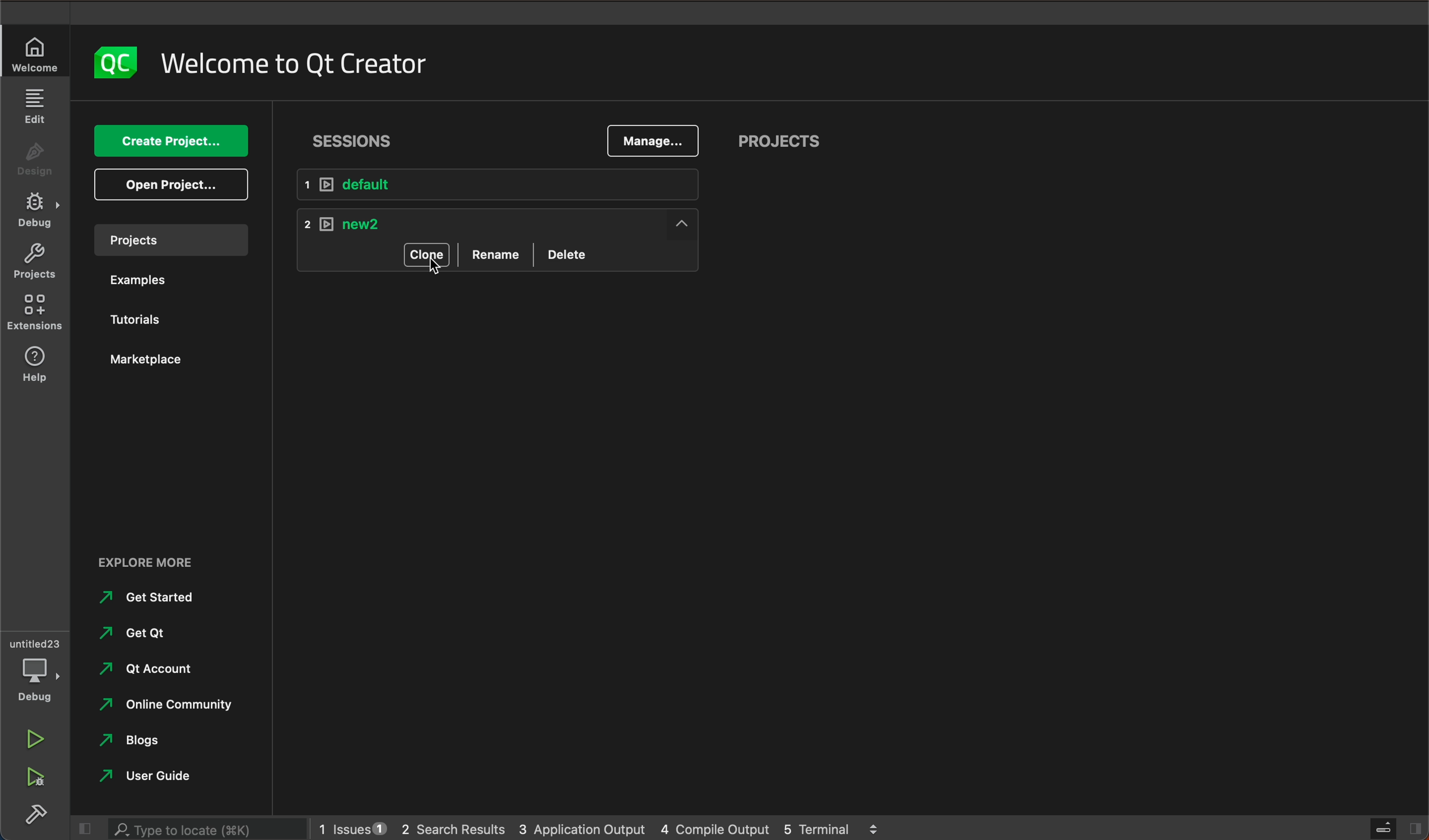 This screenshot has width=1429, height=840. Describe the element at coordinates (495, 221) in the screenshot. I see `new 2 ` at that location.